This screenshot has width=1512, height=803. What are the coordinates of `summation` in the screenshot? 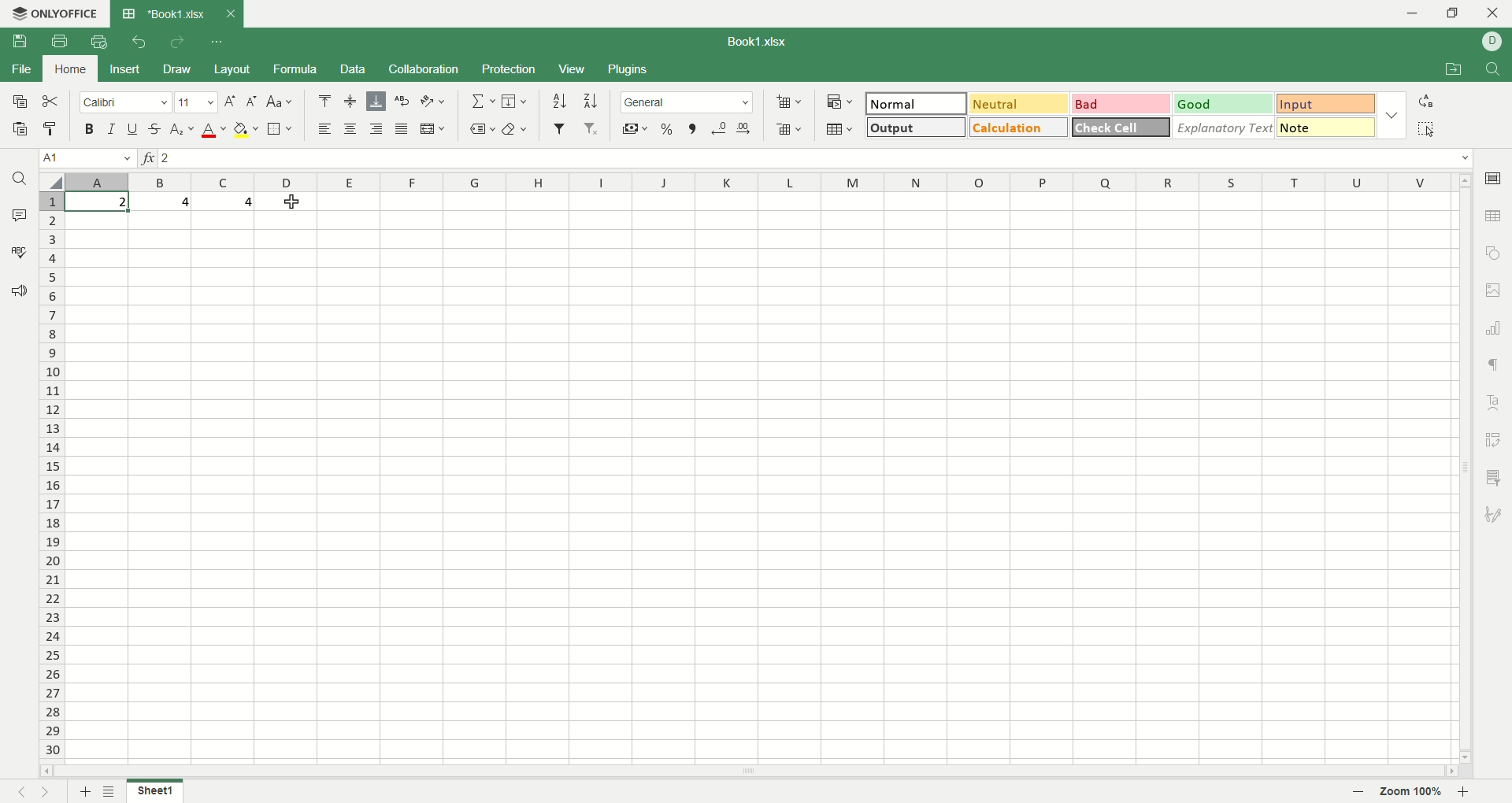 It's located at (480, 102).